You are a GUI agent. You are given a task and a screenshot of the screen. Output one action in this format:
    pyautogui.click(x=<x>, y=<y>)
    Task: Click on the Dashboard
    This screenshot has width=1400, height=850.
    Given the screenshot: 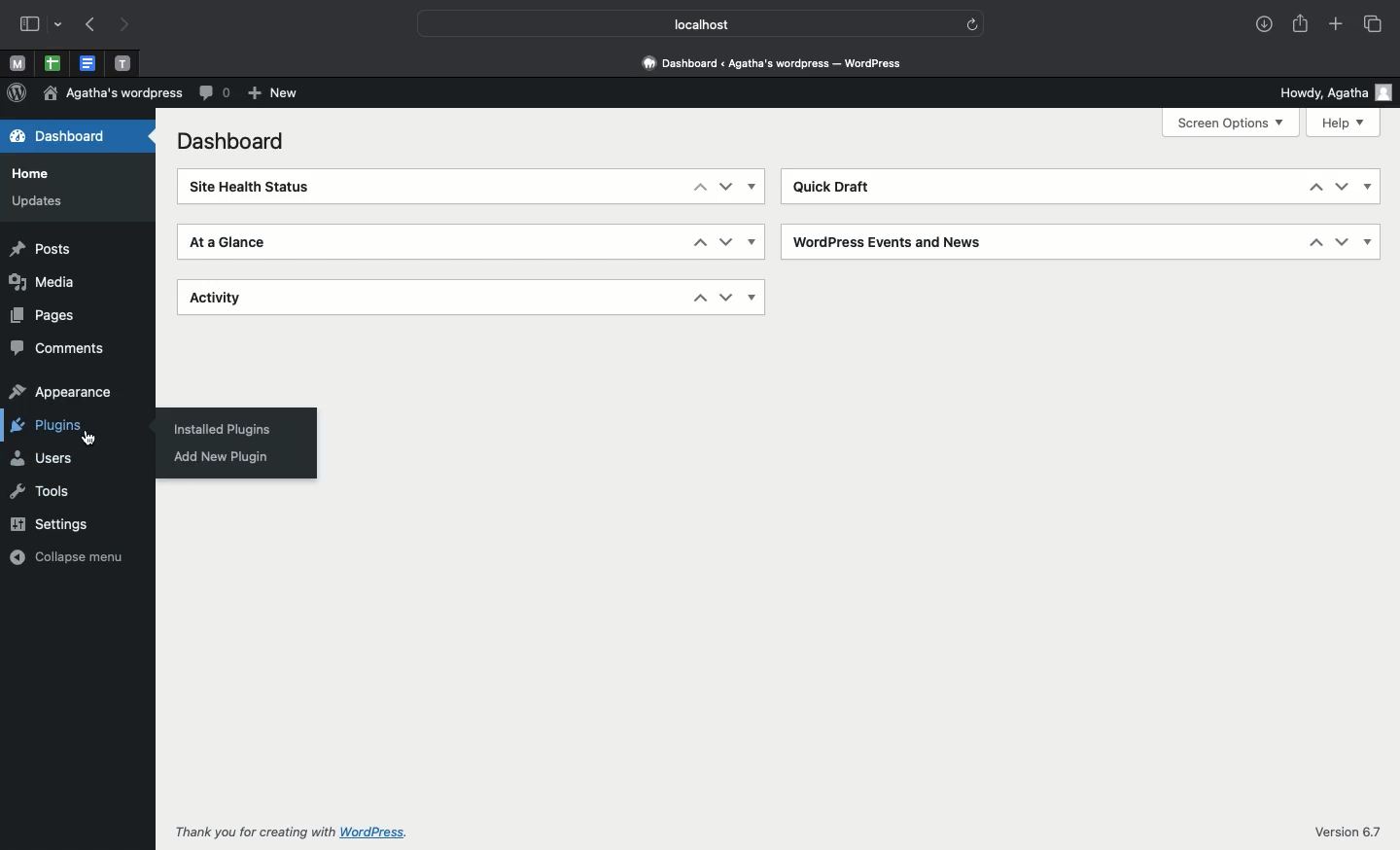 What is the action you would take?
    pyautogui.click(x=229, y=141)
    